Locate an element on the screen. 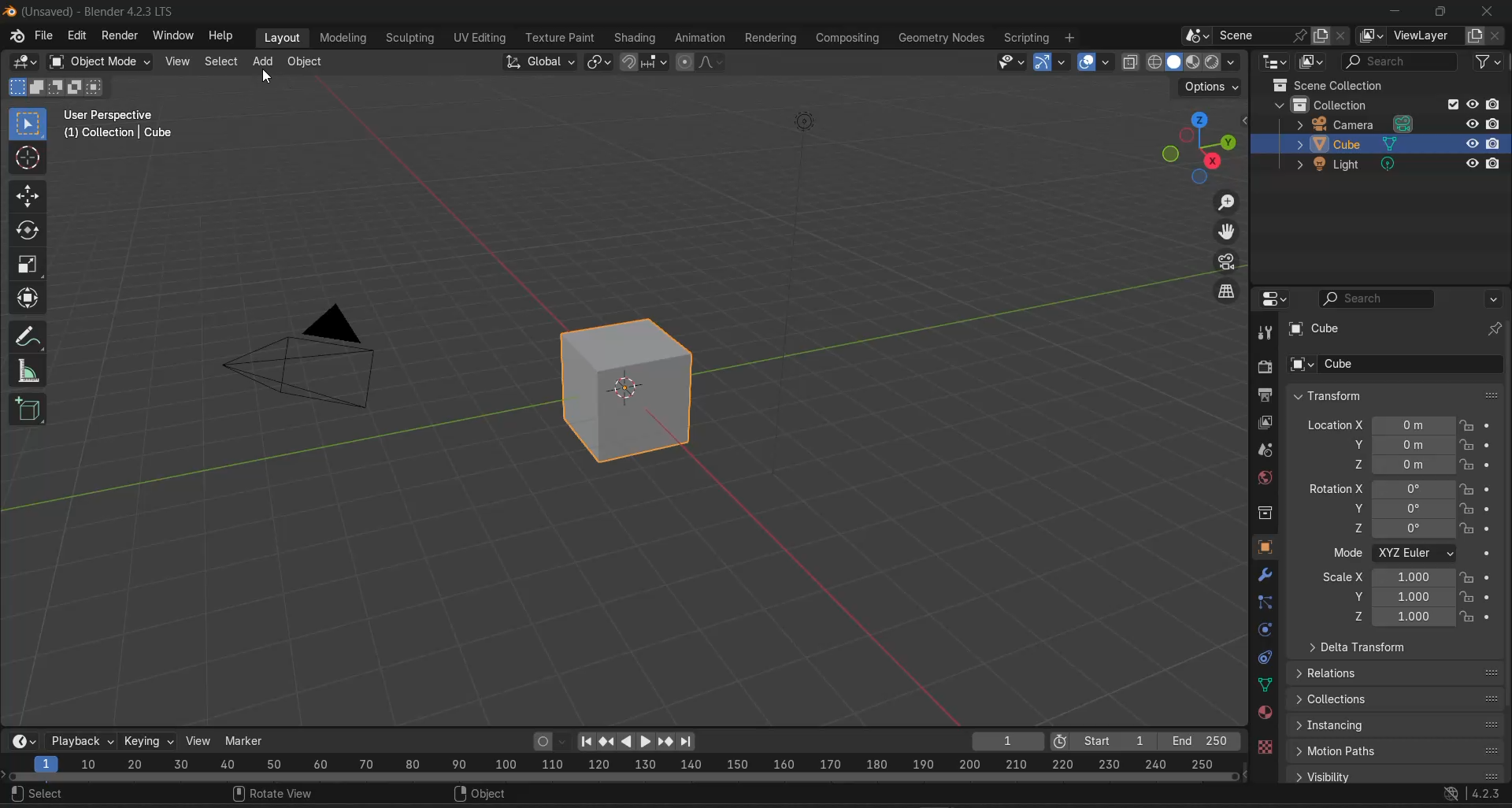 Image resolution: width=1512 pixels, height=808 pixels. texture paint is located at coordinates (558, 36).